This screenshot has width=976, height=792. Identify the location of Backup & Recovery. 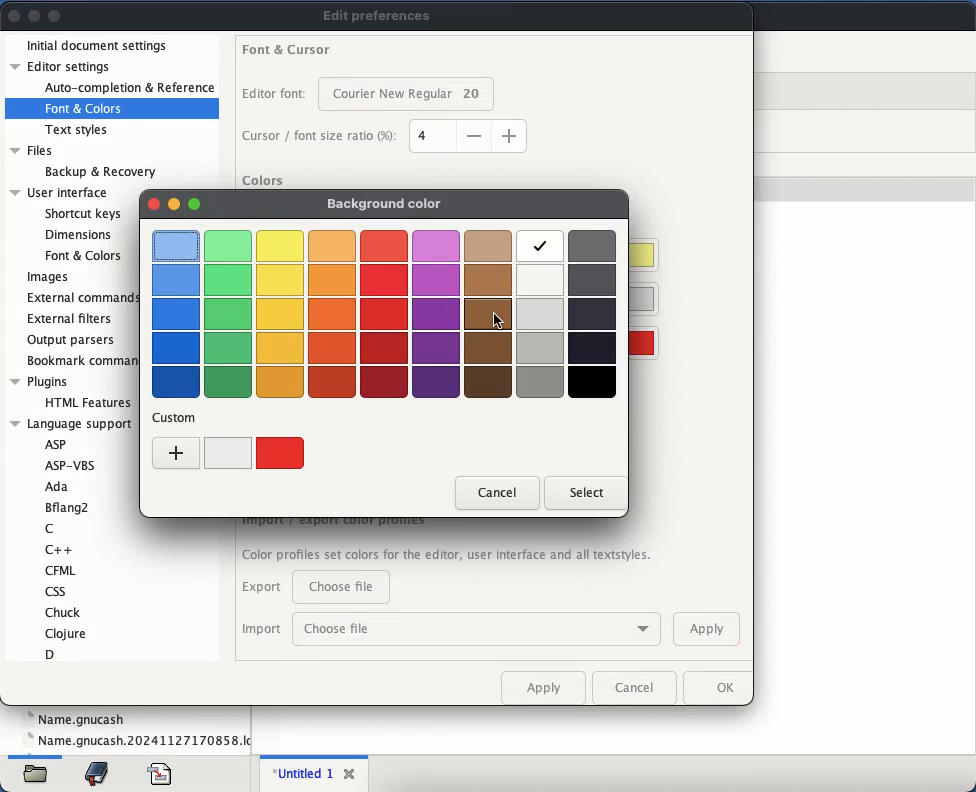
(100, 171).